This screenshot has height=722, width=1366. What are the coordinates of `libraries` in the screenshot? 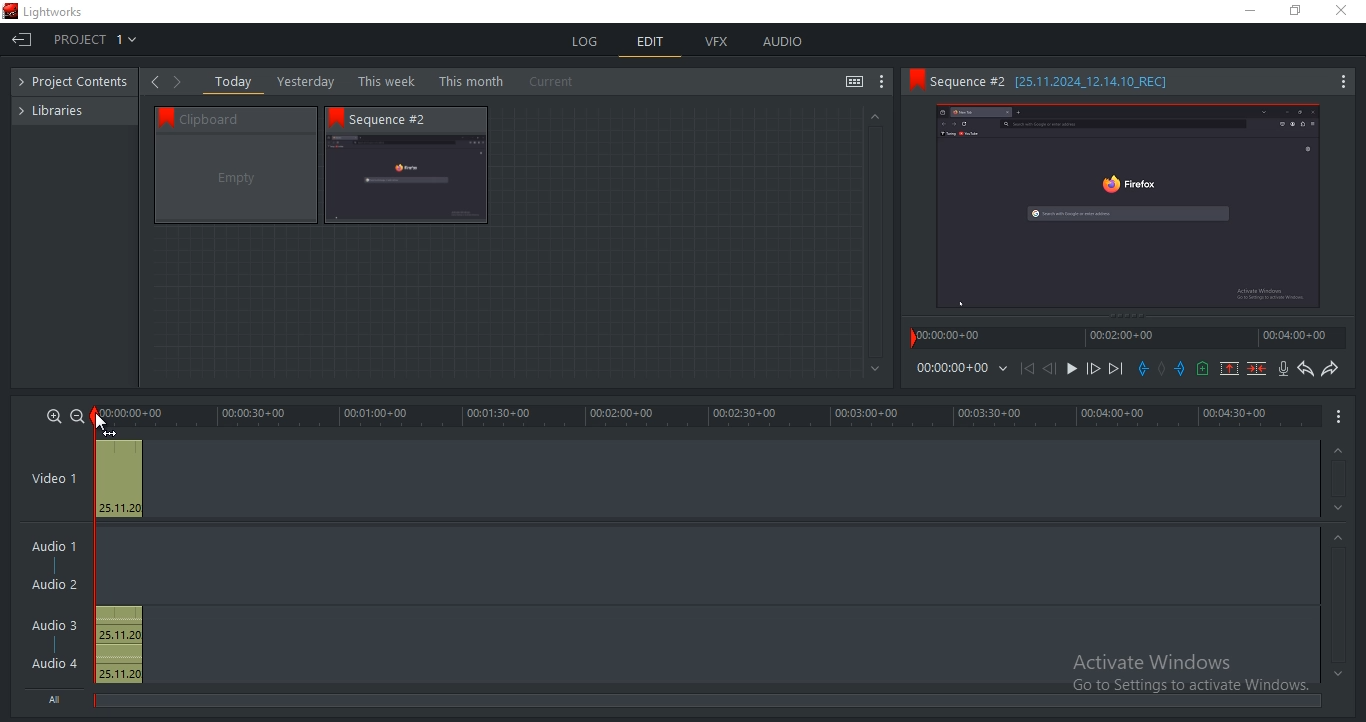 It's located at (61, 109).